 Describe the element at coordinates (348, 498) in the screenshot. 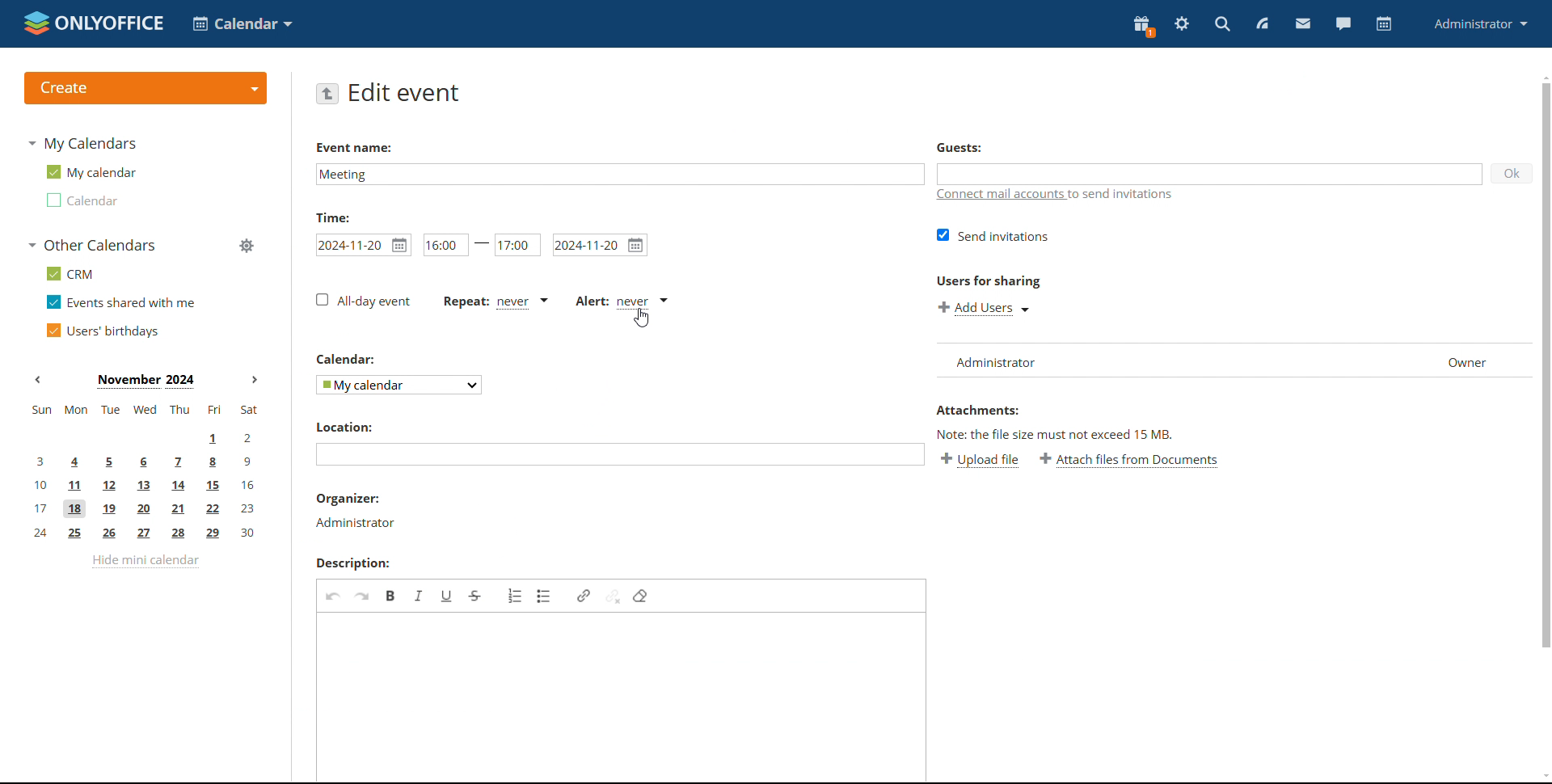

I see `organiser` at that location.